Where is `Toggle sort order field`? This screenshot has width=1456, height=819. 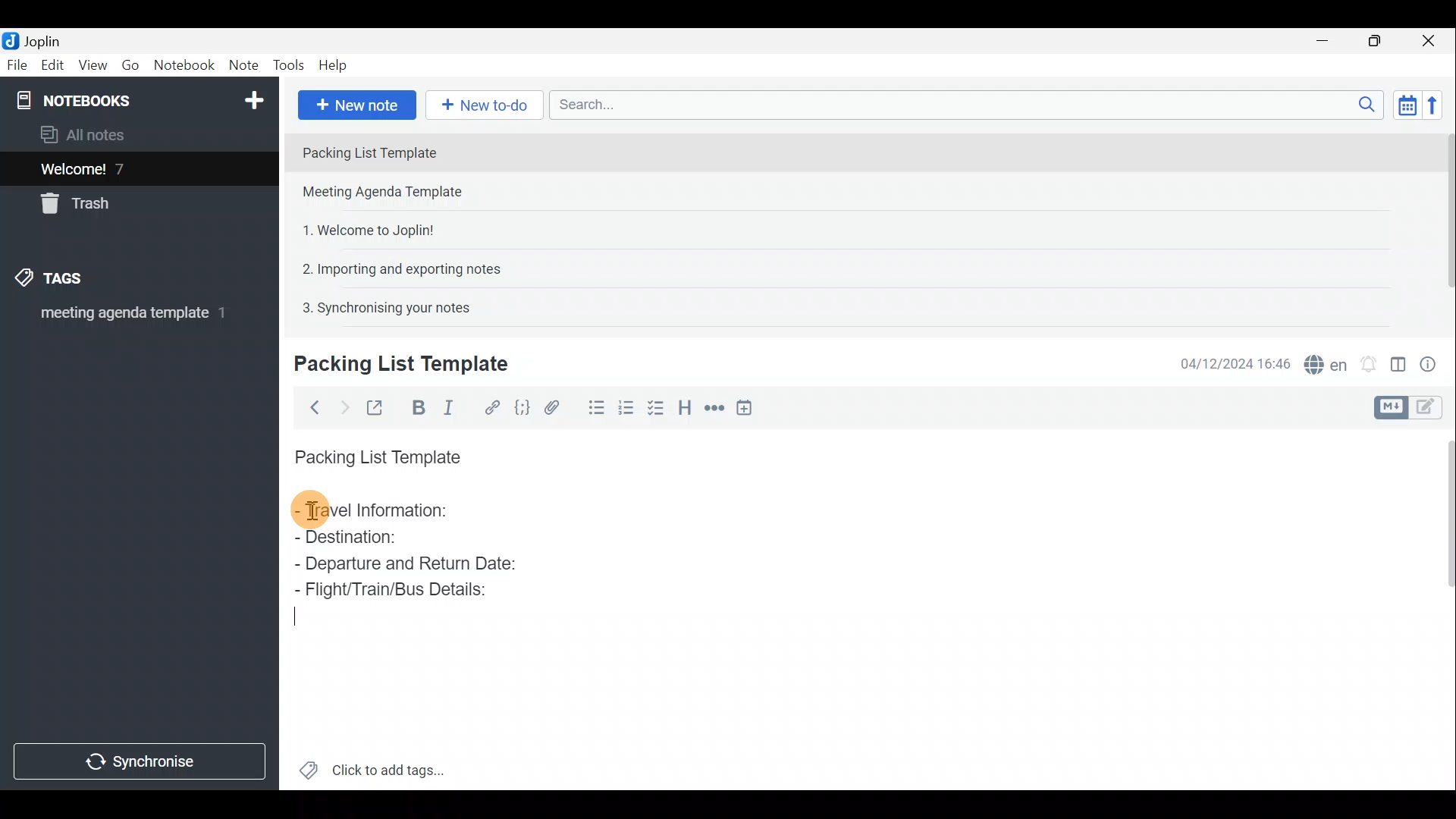 Toggle sort order field is located at coordinates (1402, 105).